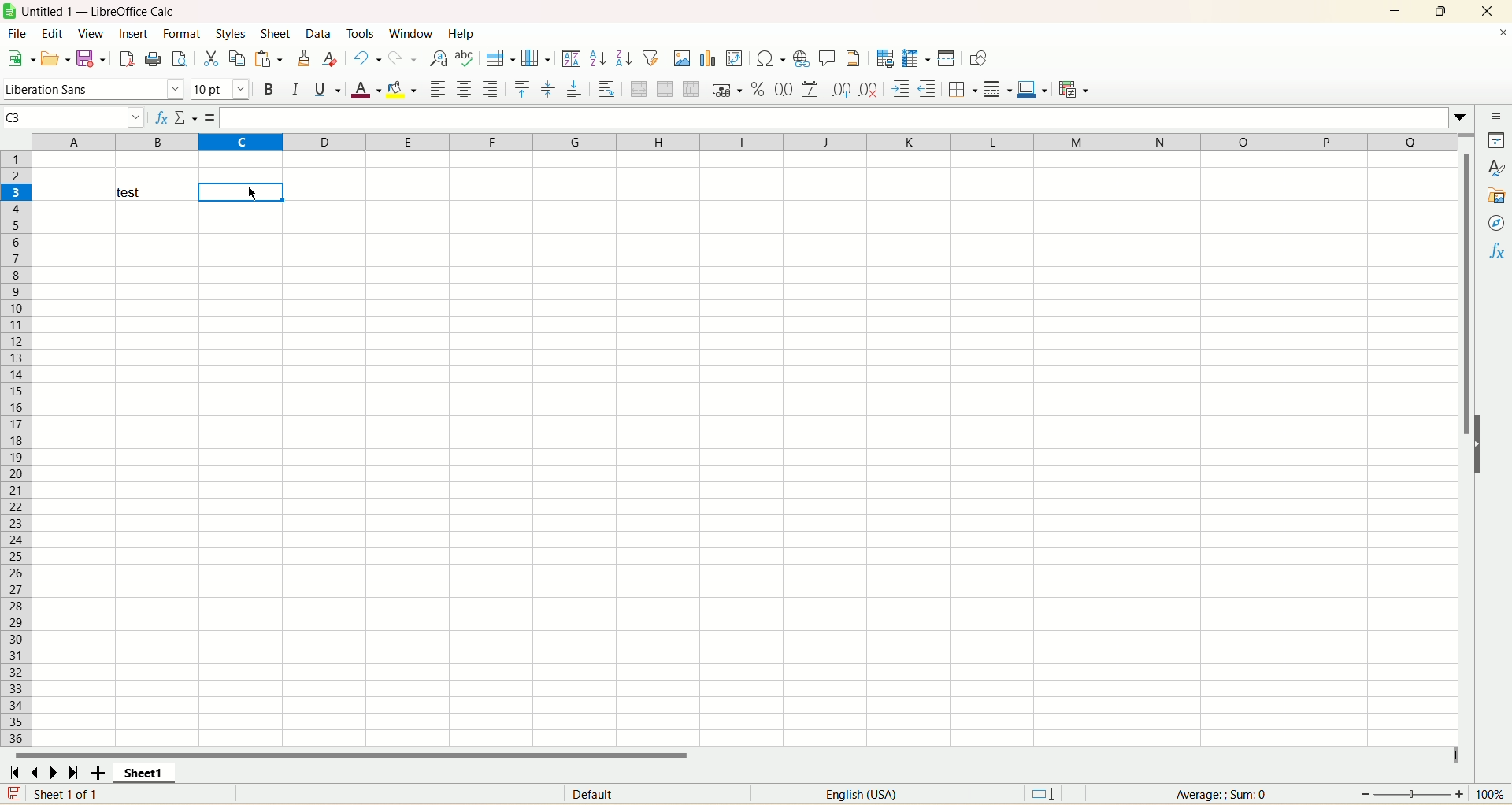 The width and height of the screenshot is (1512, 805). I want to click on Header and footer, so click(853, 58).